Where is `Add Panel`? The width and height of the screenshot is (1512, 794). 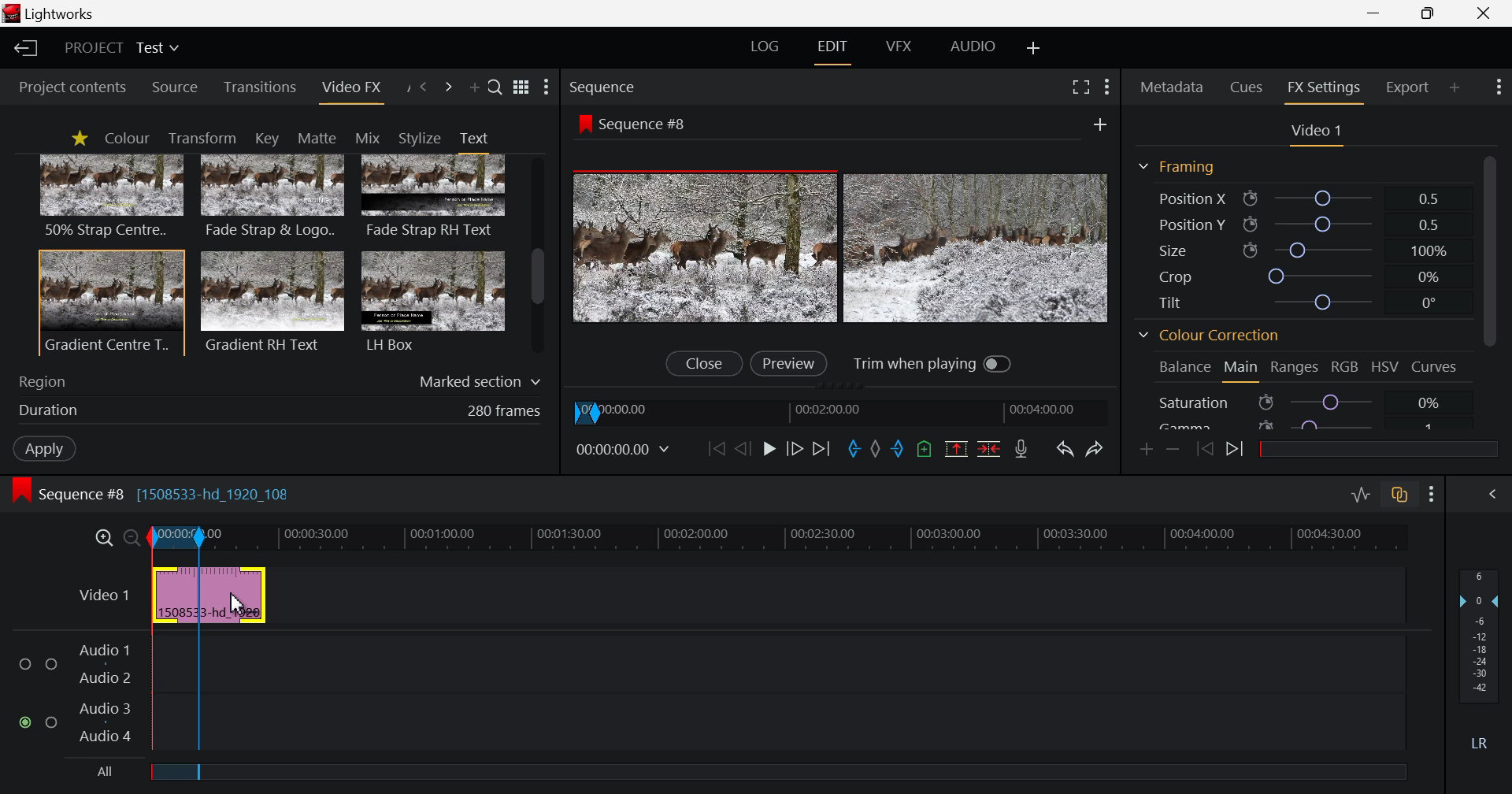
Add Panel is located at coordinates (1455, 85).